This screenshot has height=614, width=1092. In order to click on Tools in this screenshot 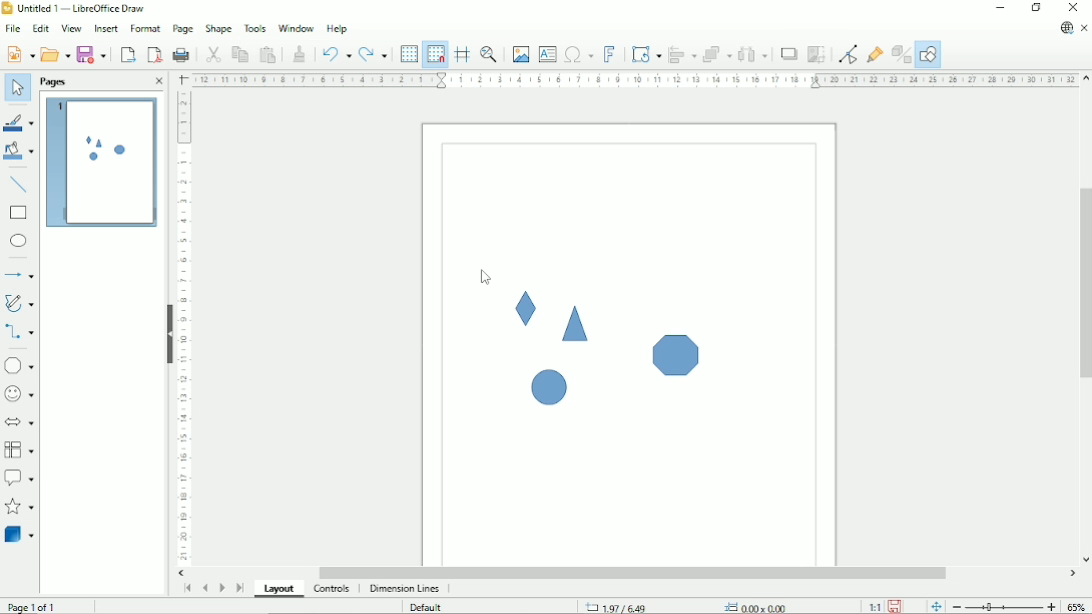, I will do `click(255, 27)`.